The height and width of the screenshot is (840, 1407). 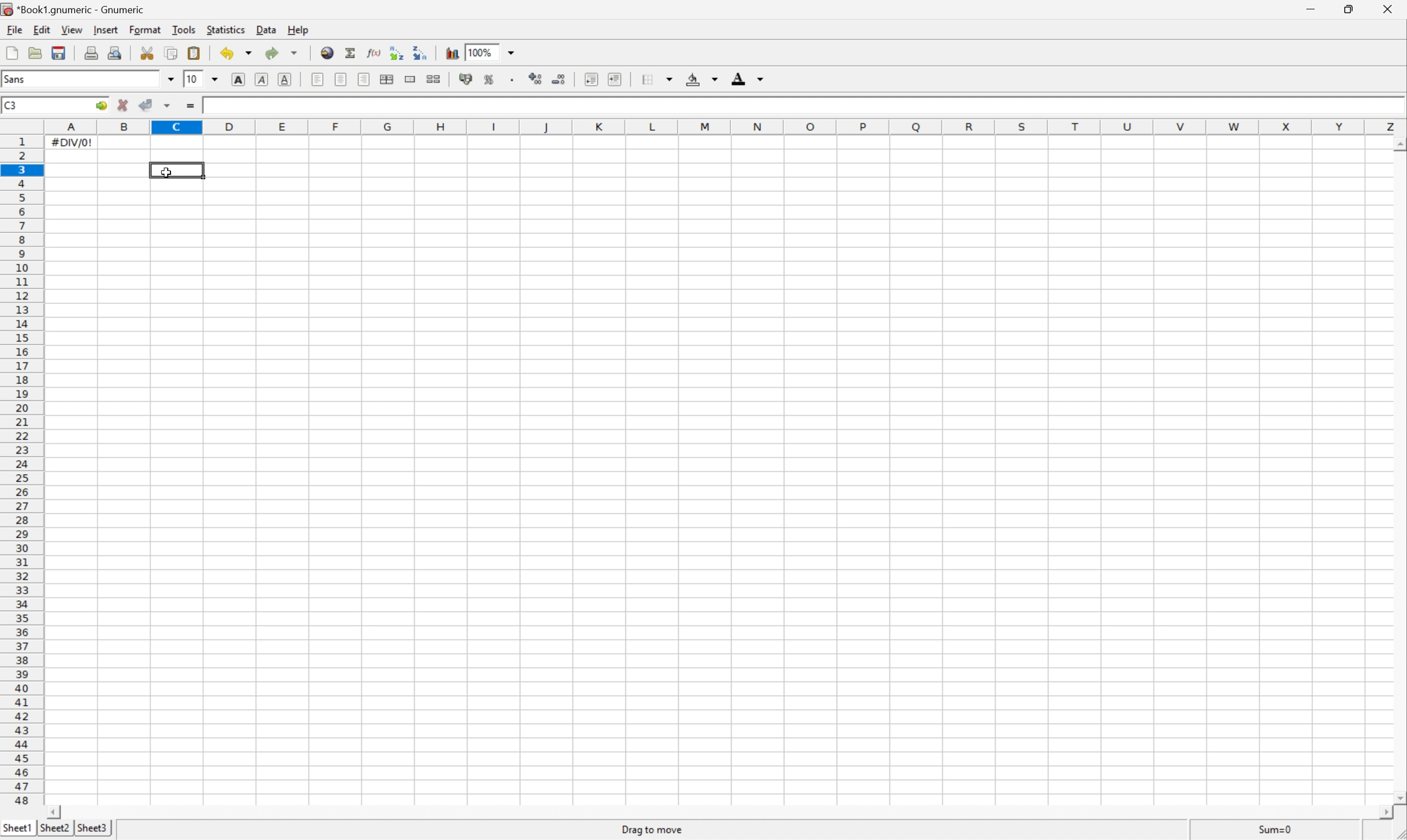 I want to click on Enter formula, so click(x=189, y=104).